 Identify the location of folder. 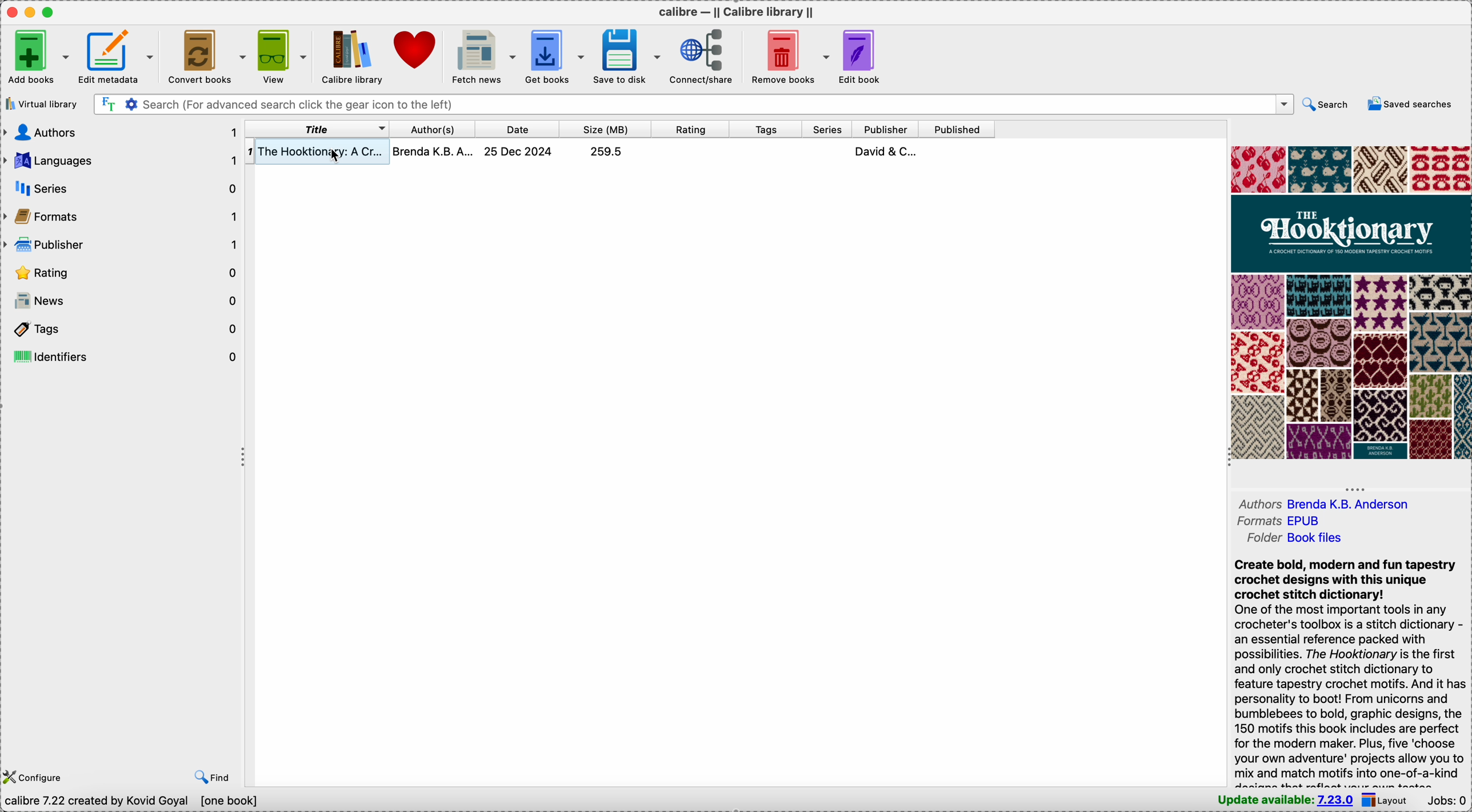
(1298, 539).